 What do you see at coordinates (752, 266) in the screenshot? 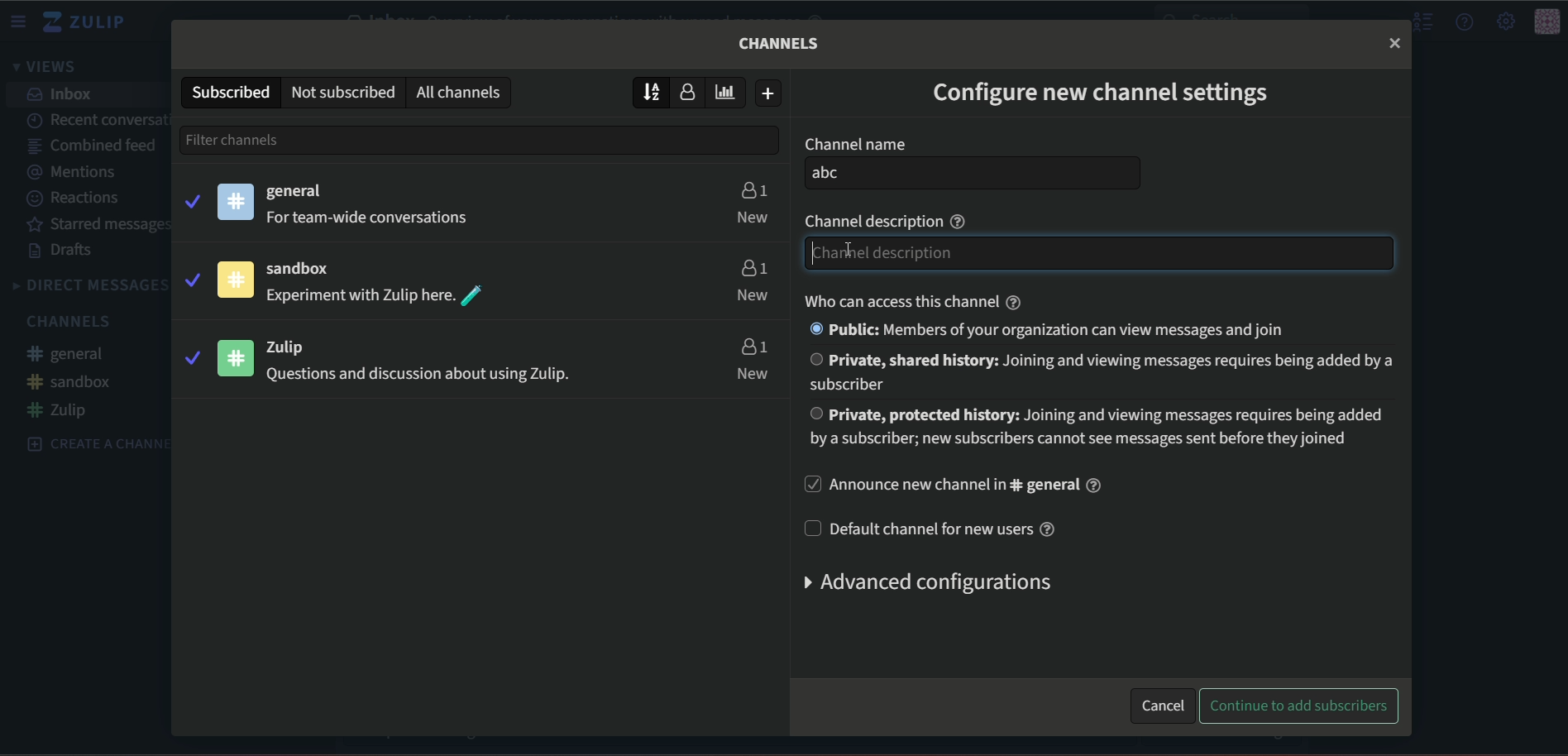
I see `users` at bounding box center [752, 266].